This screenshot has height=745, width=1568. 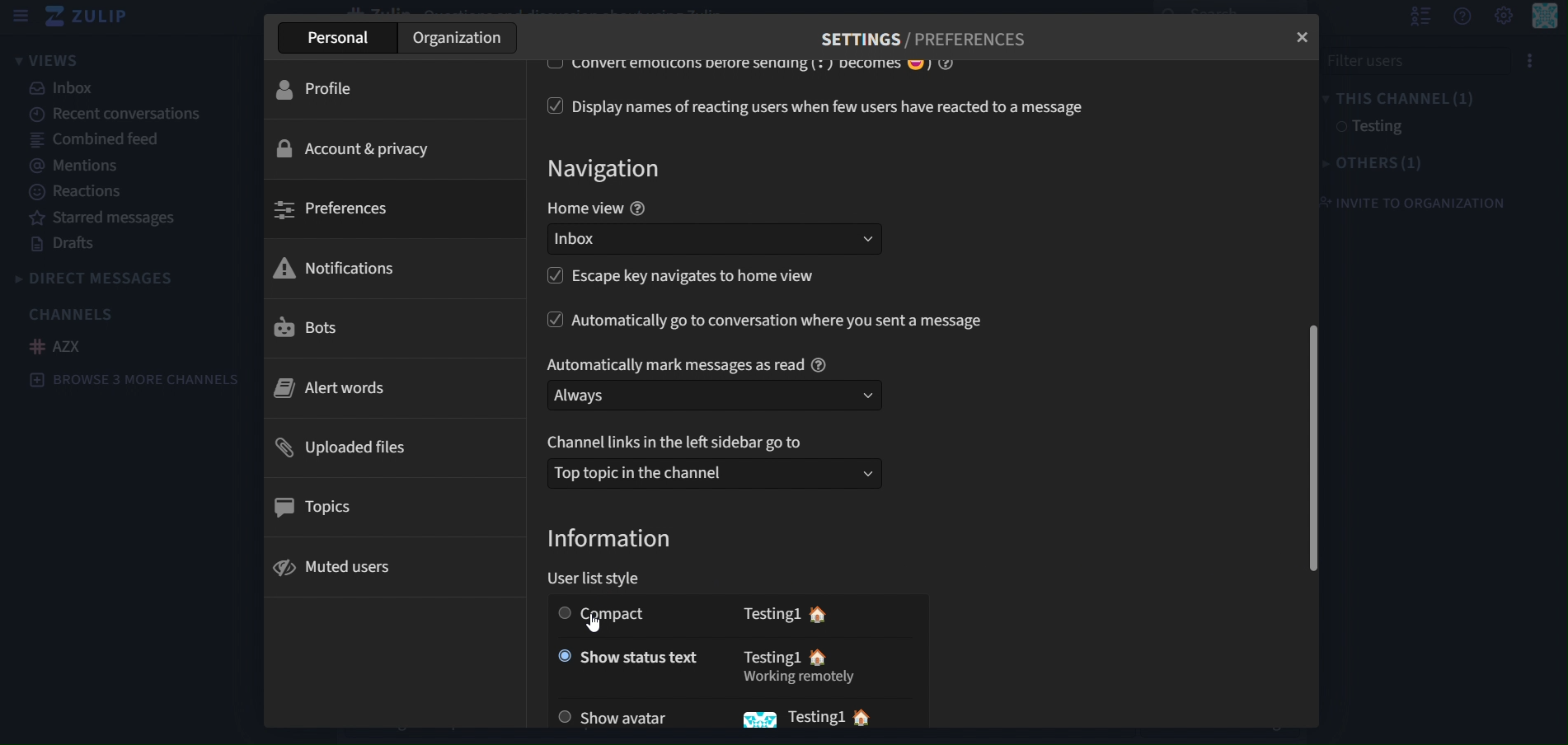 I want to click on navigation, so click(x=609, y=170).